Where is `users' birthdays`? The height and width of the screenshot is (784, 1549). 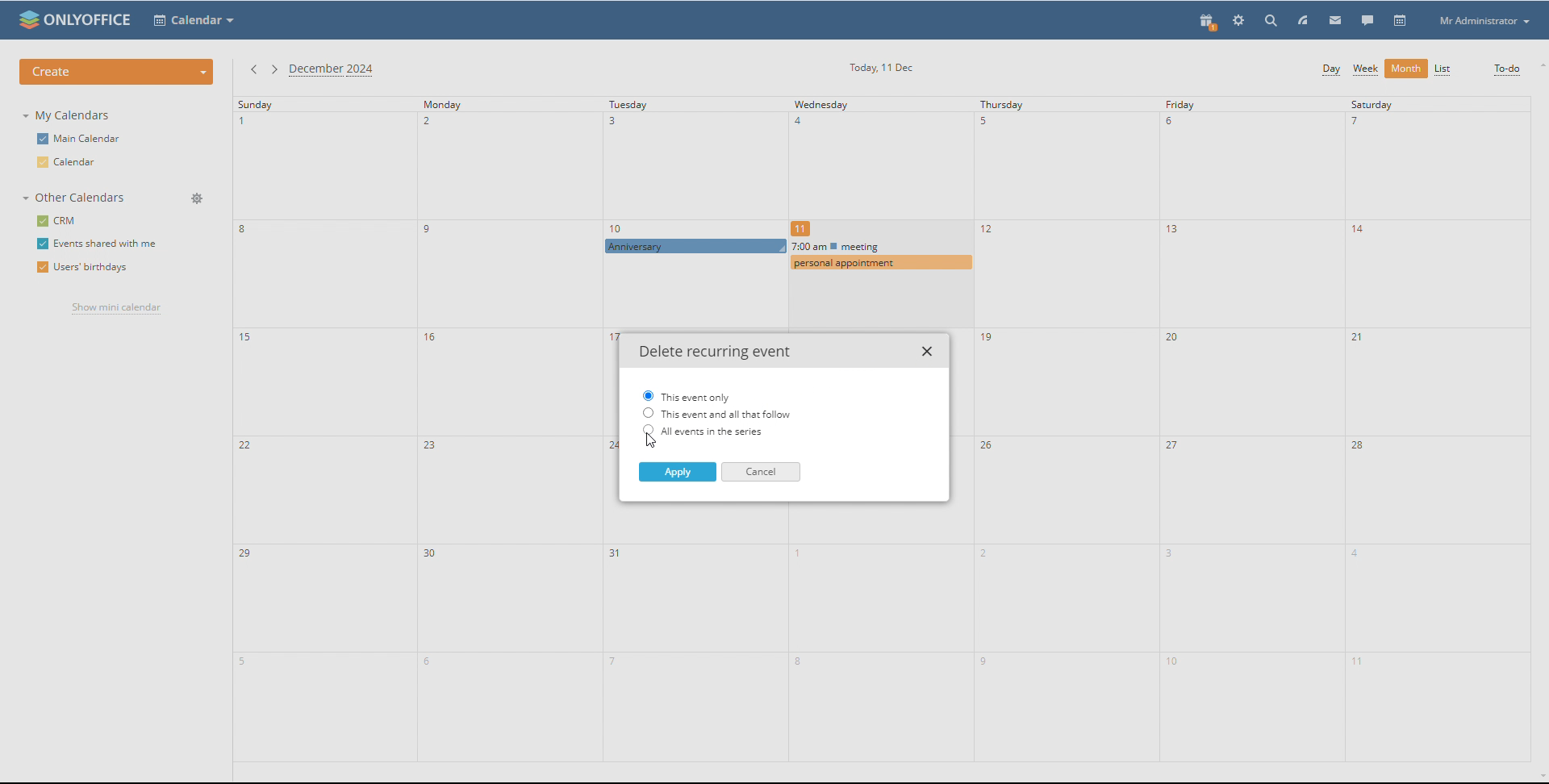 users' birthdays is located at coordinates (83, 269).